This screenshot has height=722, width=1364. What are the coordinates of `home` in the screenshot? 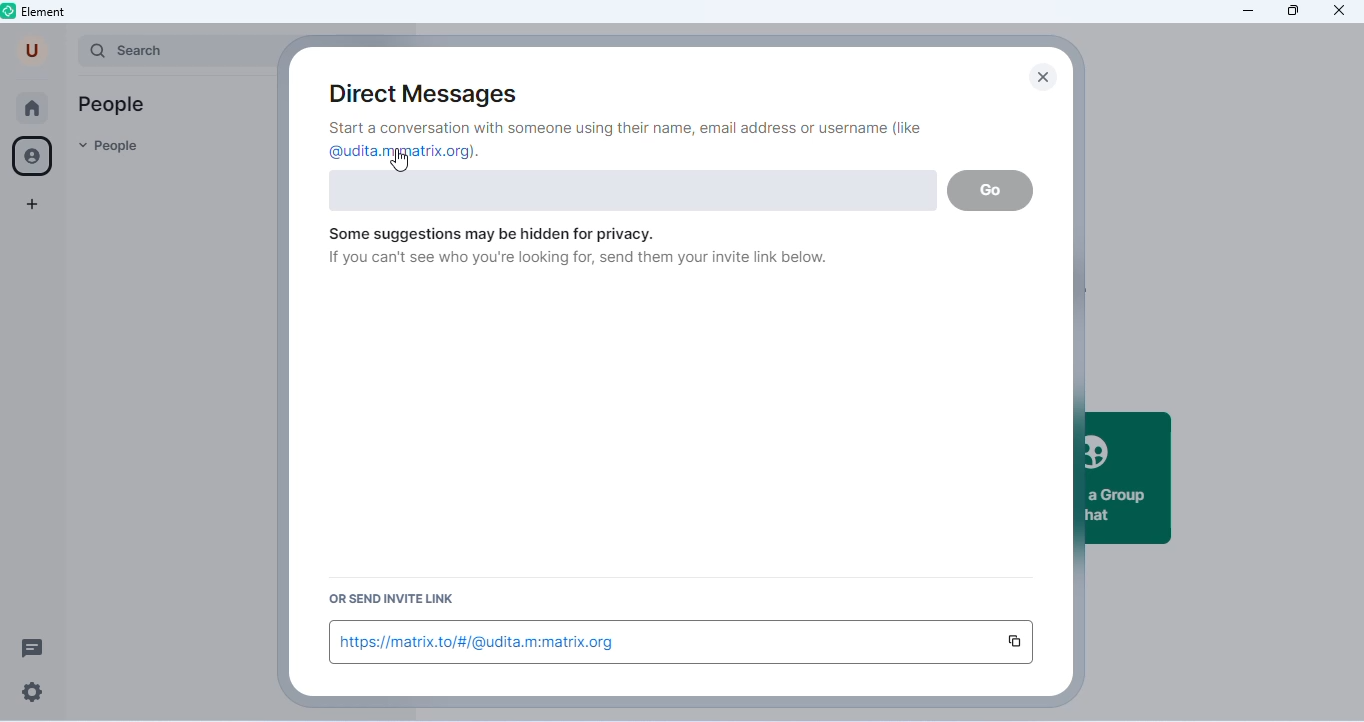 It's located at (32, 109).